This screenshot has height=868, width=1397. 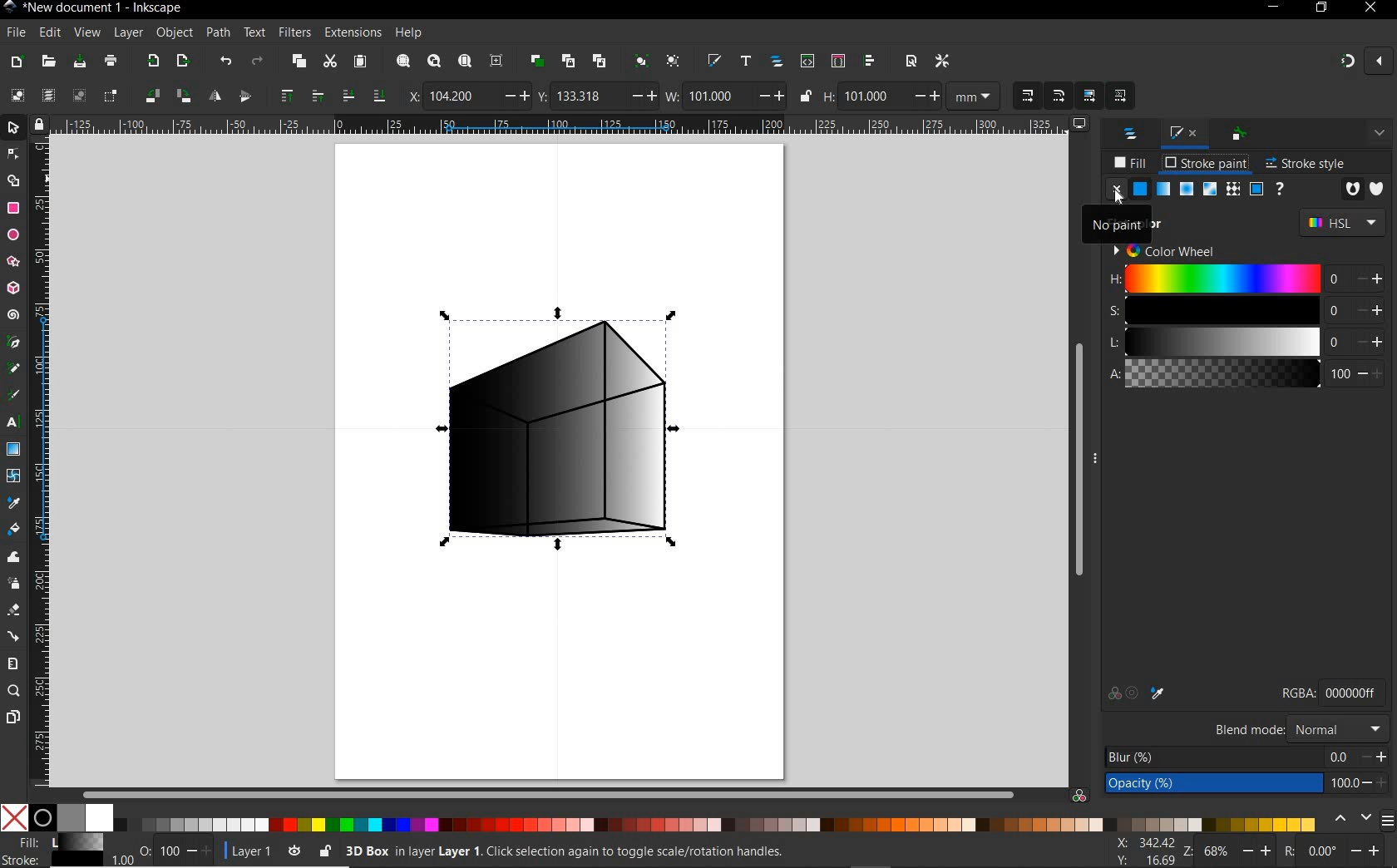 I want to click on increase/decrease, so click(x=1370, y=341).